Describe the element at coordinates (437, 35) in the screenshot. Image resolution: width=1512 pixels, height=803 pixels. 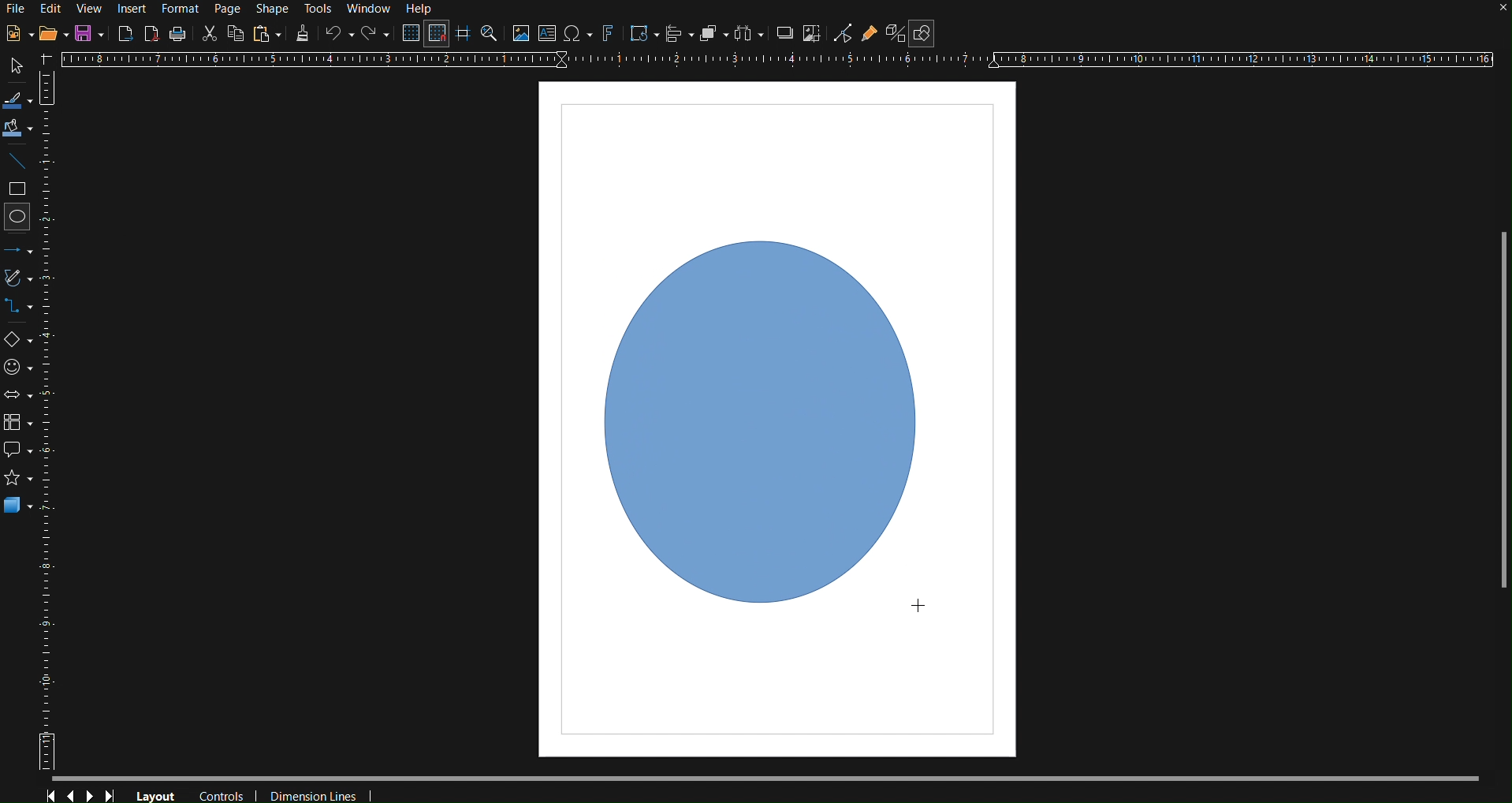
I see `Snap to Grid` at that location.